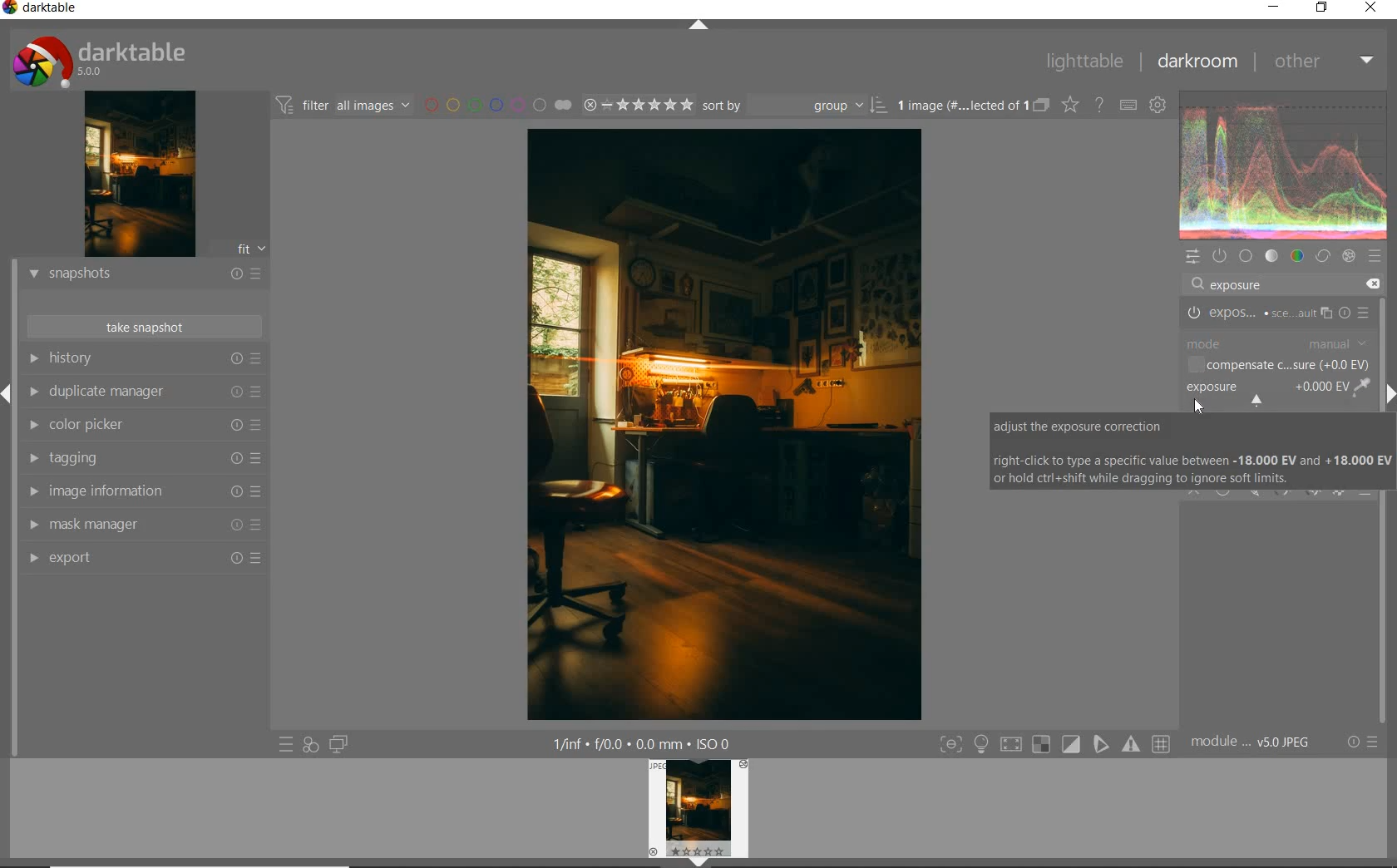 The height and width of the screenshot is (868, 1397). Describe the element at coordinates (1159, 106) in the screenshot. I see `show global preferences` at that location.